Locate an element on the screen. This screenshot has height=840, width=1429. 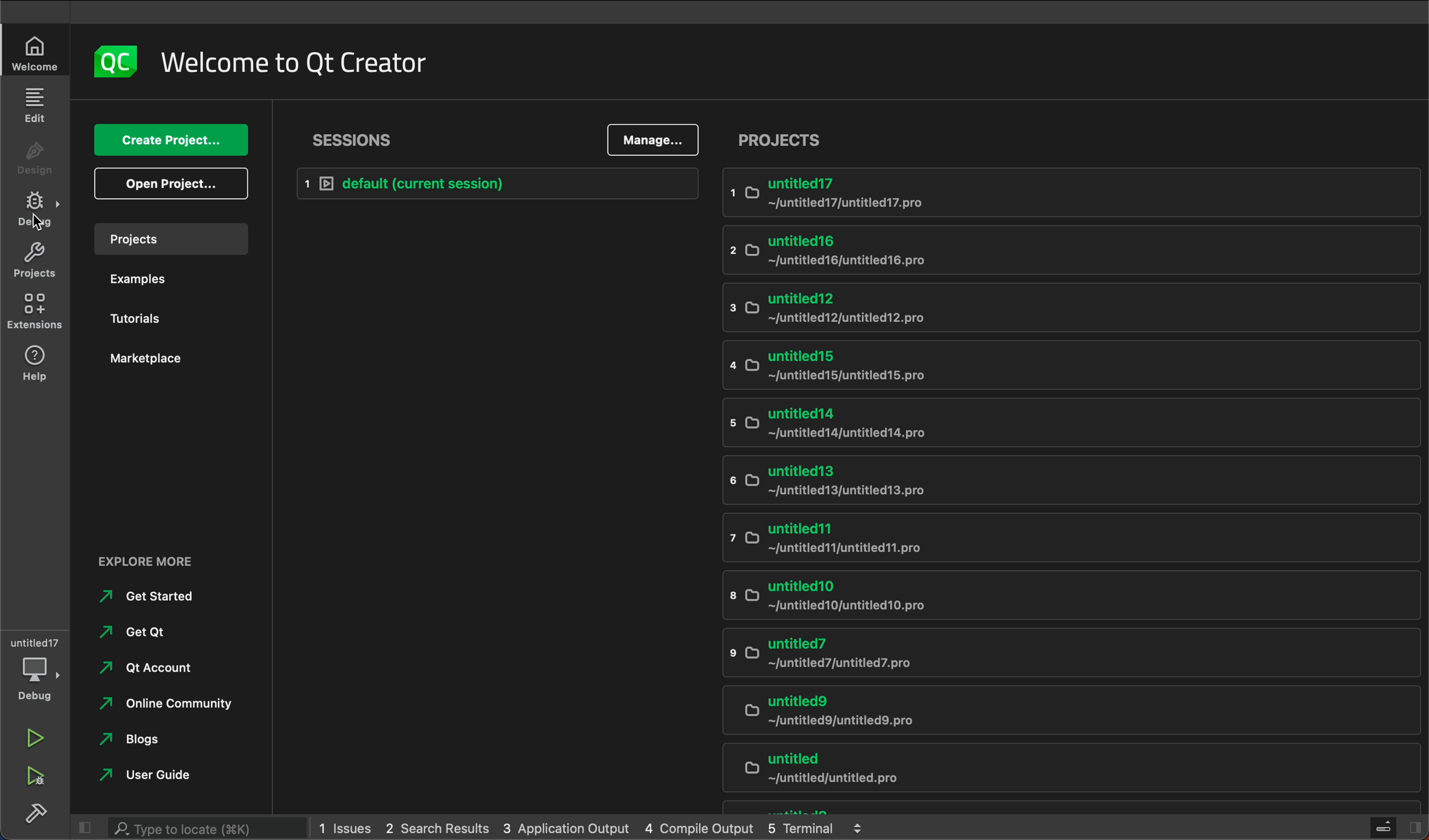
untitled12
~[untitled12/untitled12.pro is located at coordinates (1068, 308).